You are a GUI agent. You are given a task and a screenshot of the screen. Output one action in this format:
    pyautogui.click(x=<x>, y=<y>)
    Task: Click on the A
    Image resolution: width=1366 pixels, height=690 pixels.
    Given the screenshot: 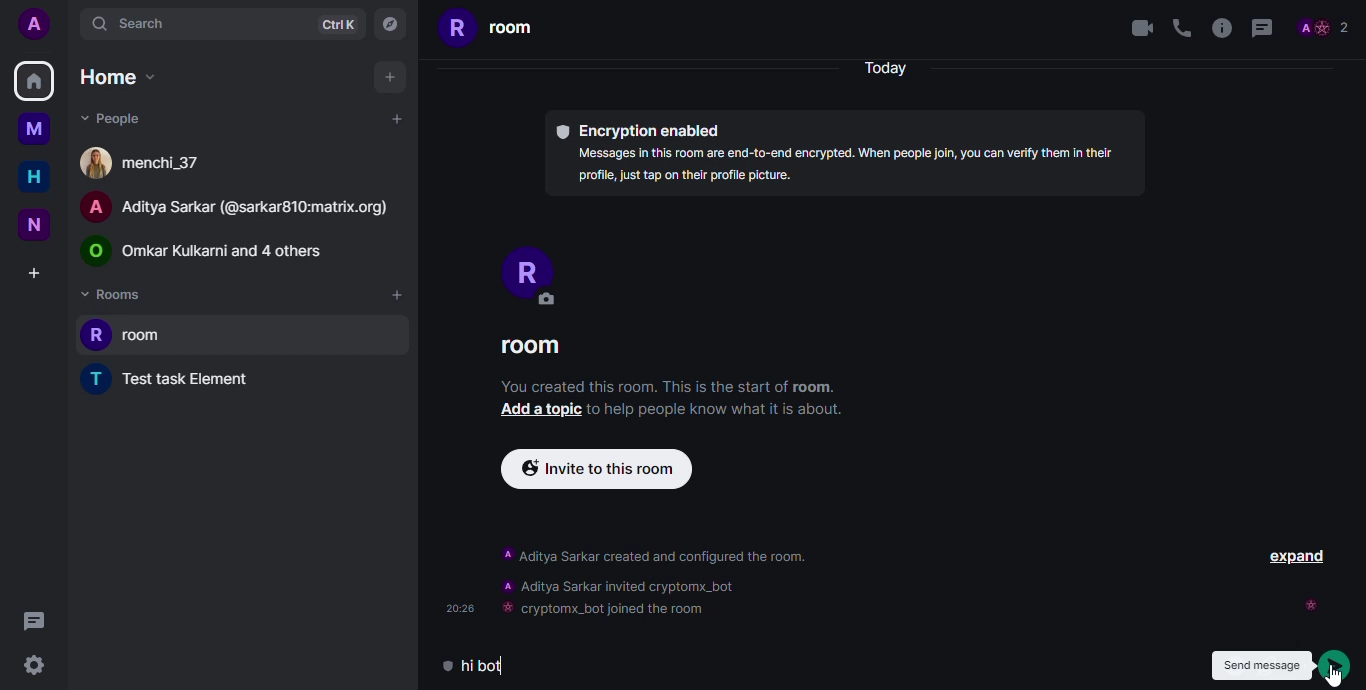 What is the action you would take?
    pyautogui.click(x=94, y=205)
    